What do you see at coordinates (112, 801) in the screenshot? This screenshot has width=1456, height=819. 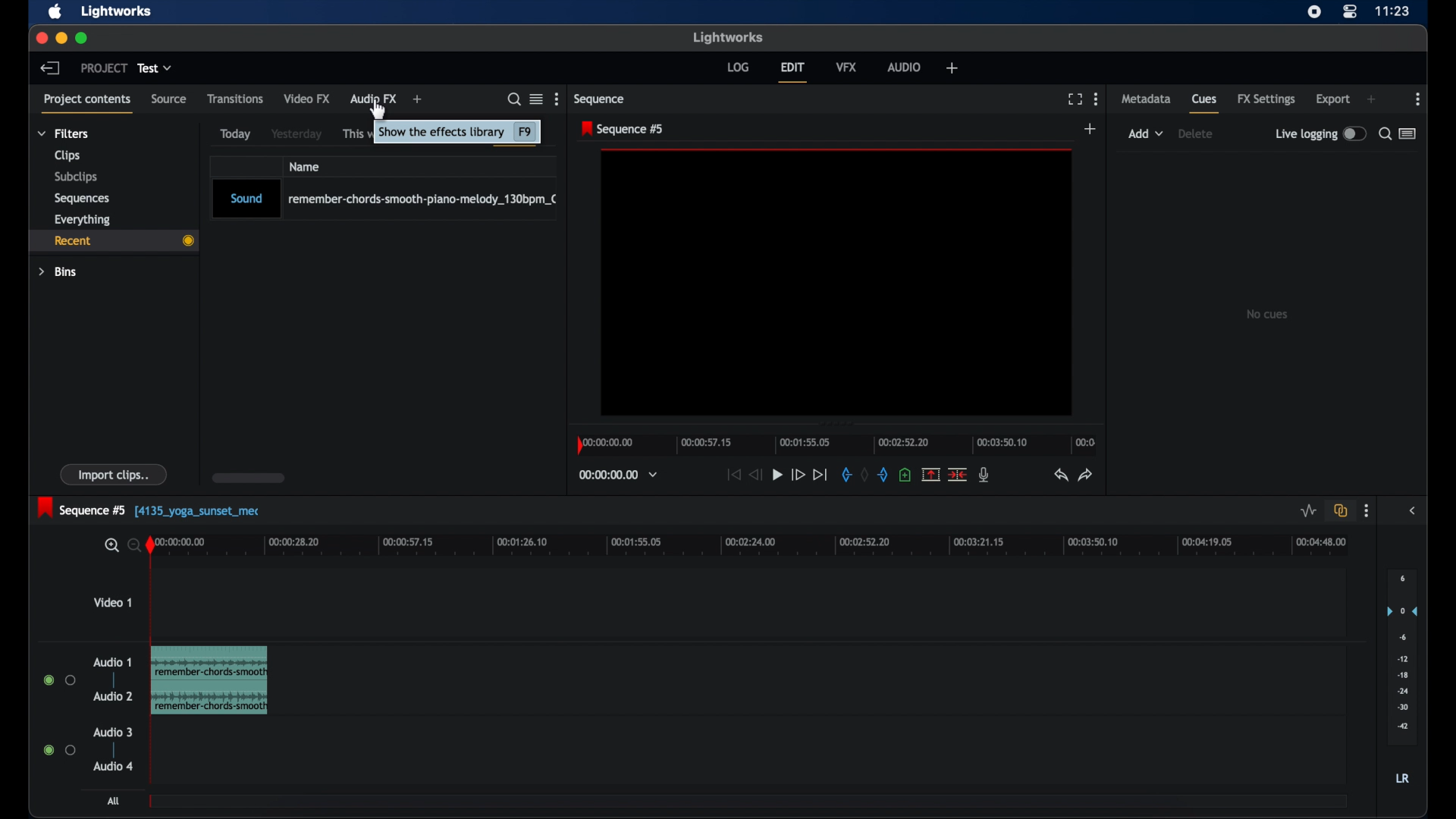 I see `all` at bounding box center [112, 801].